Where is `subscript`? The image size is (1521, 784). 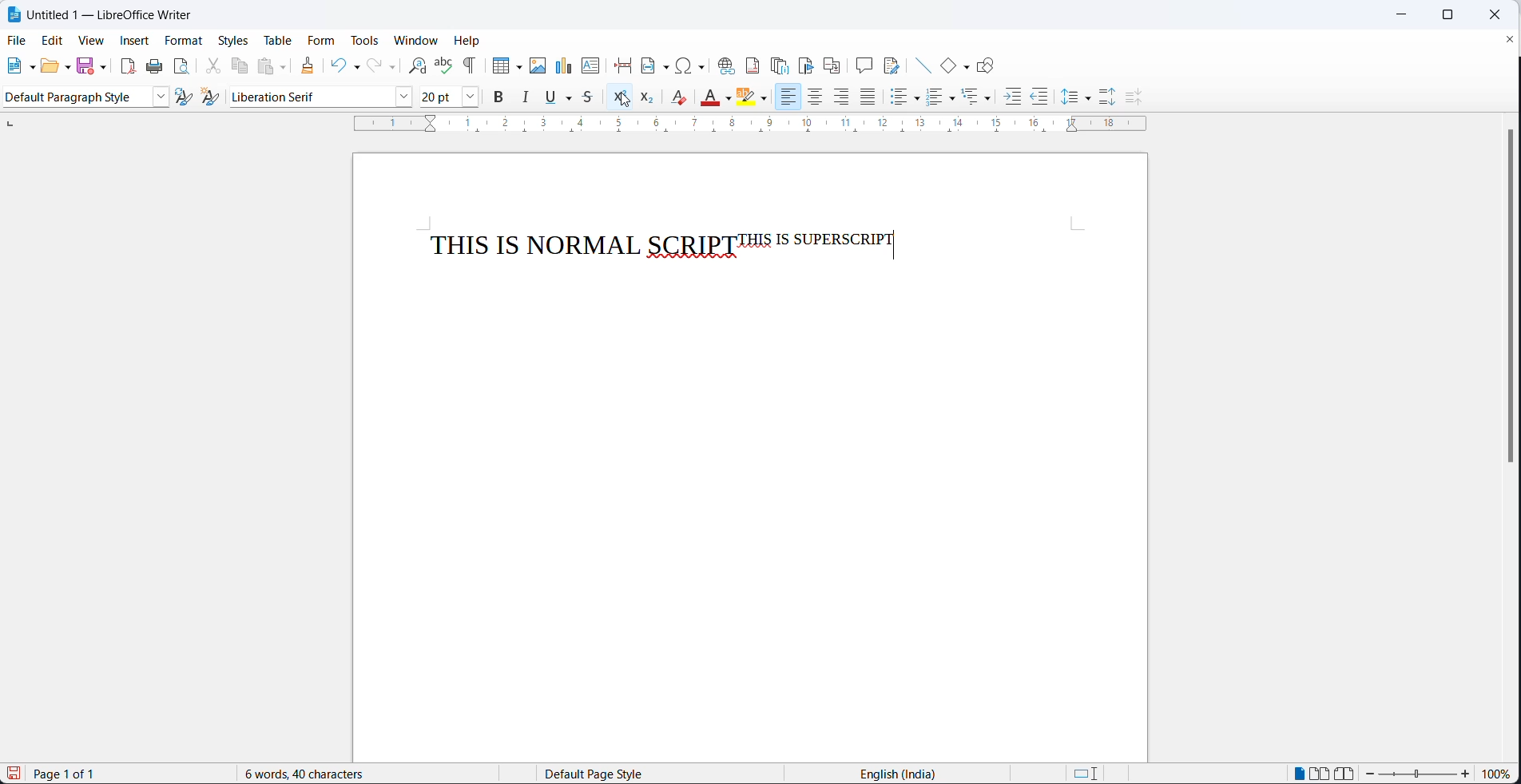
subscript is located at coordinates (648, 97).